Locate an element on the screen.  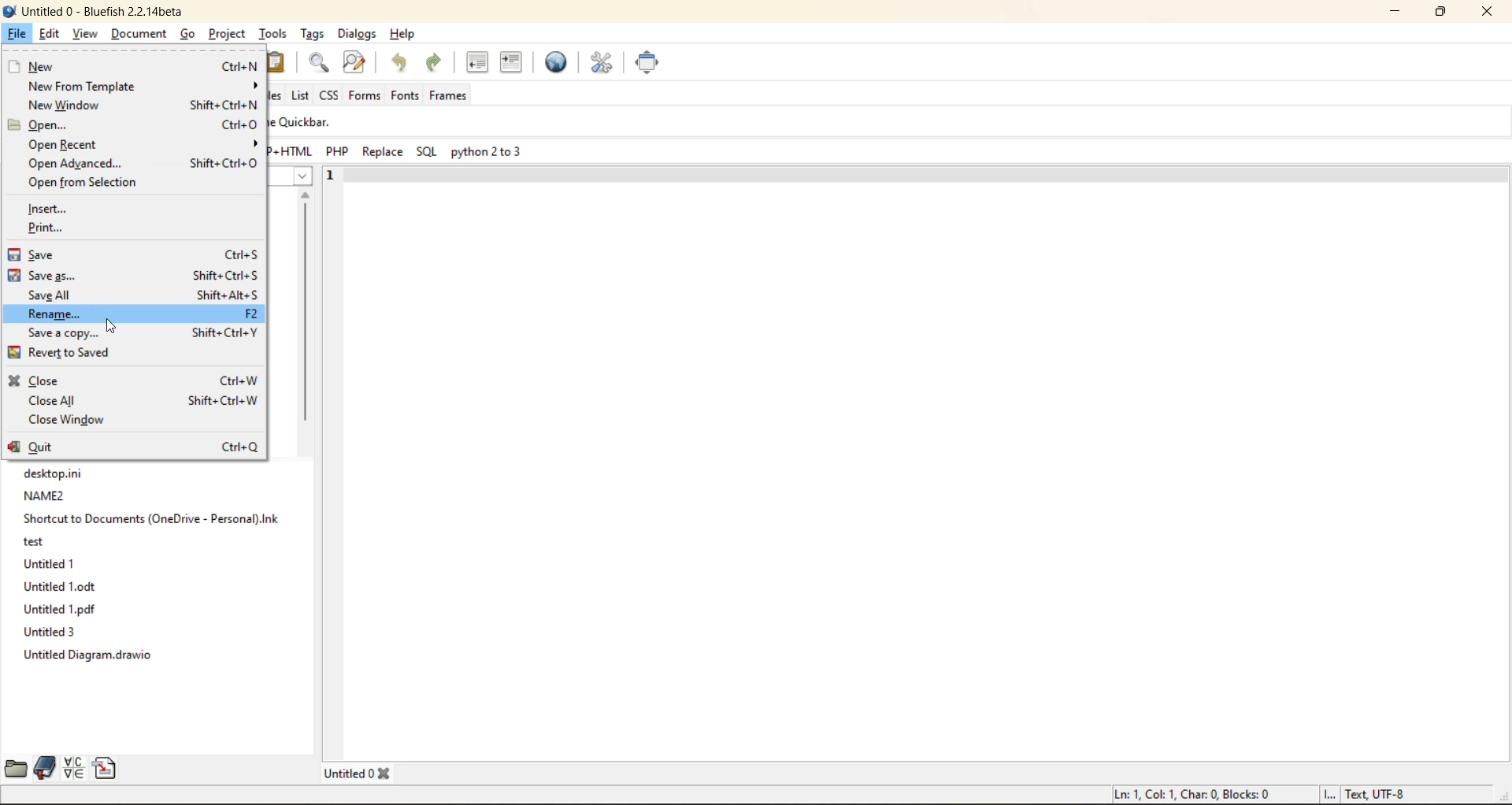
new is located at coordinates (9, 68).